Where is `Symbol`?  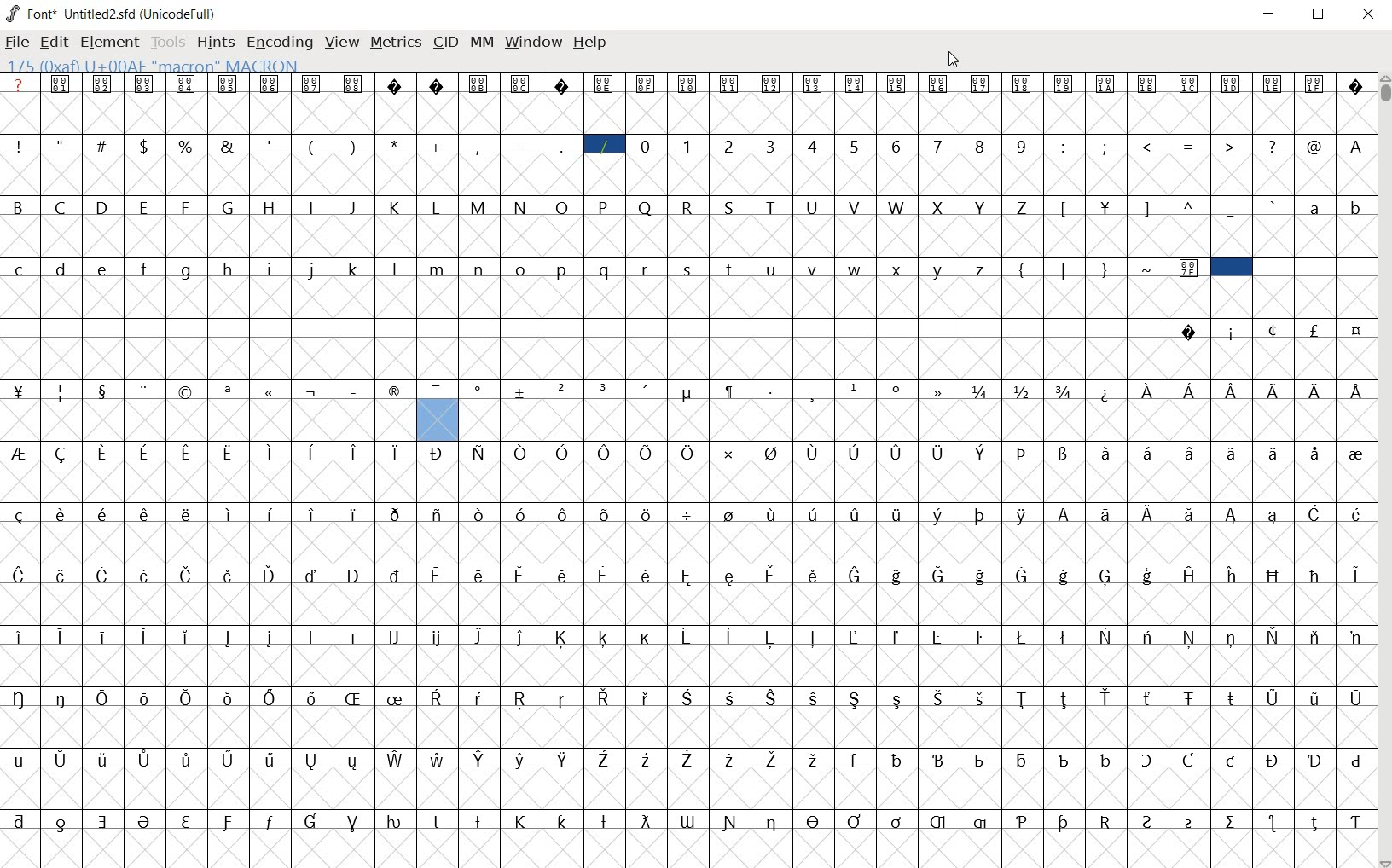 Symbol is located at coordinates (689, 454).